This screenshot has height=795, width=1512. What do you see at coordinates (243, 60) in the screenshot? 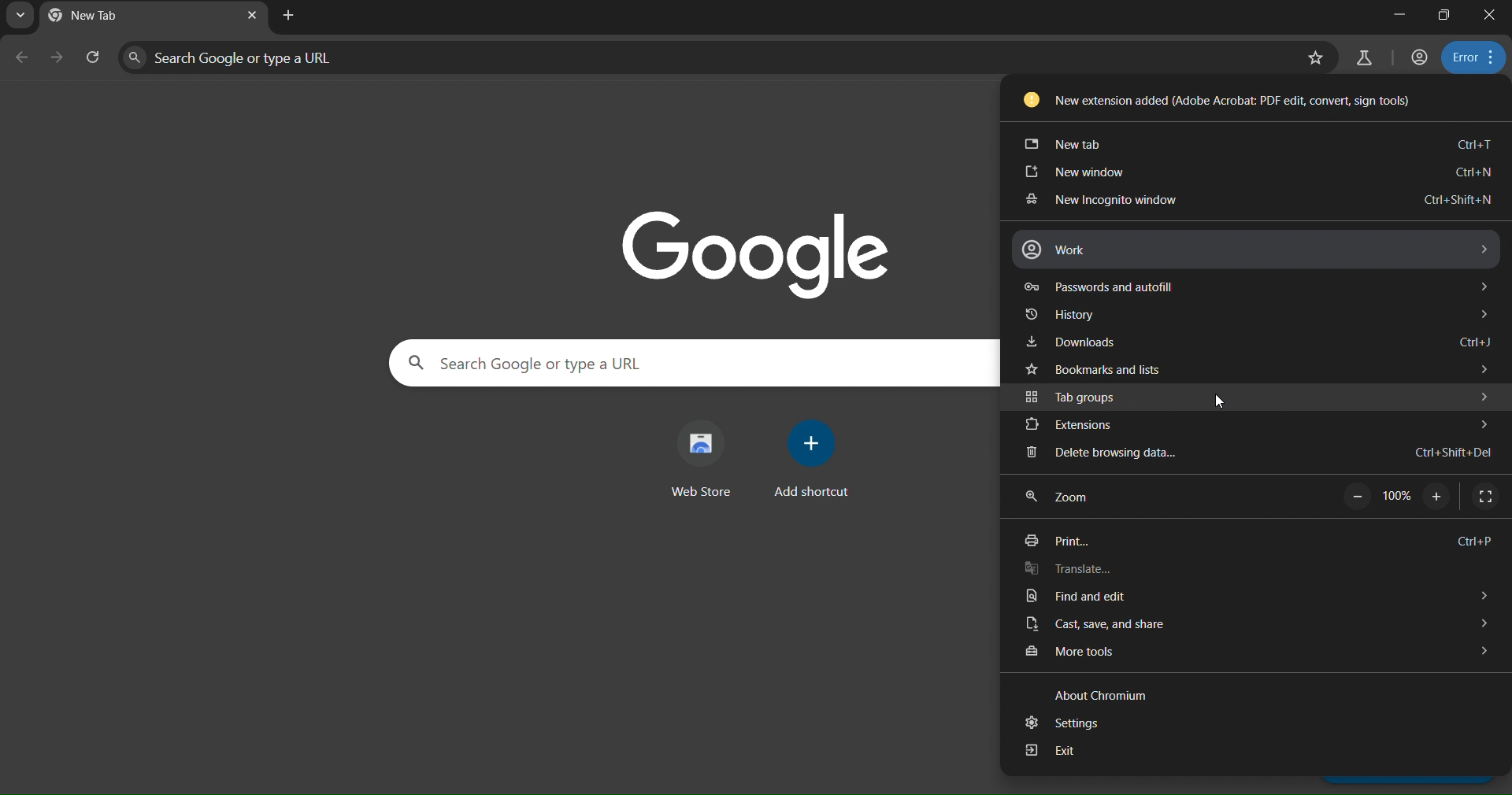
I see `Search Google or type a URL` at bounding box center [243, 60].